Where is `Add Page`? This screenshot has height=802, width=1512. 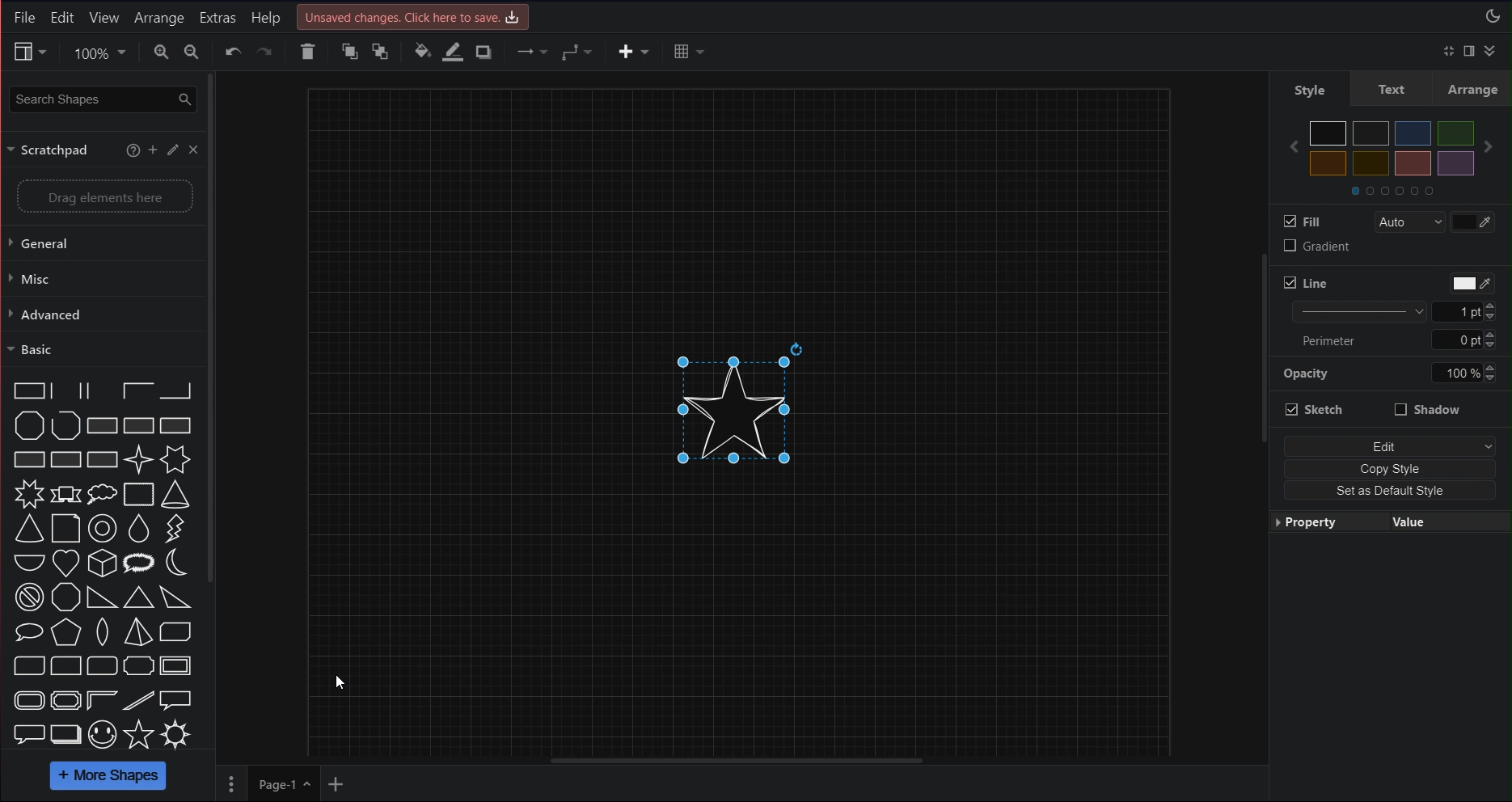
Add Page is located at coordinates (335, 785).